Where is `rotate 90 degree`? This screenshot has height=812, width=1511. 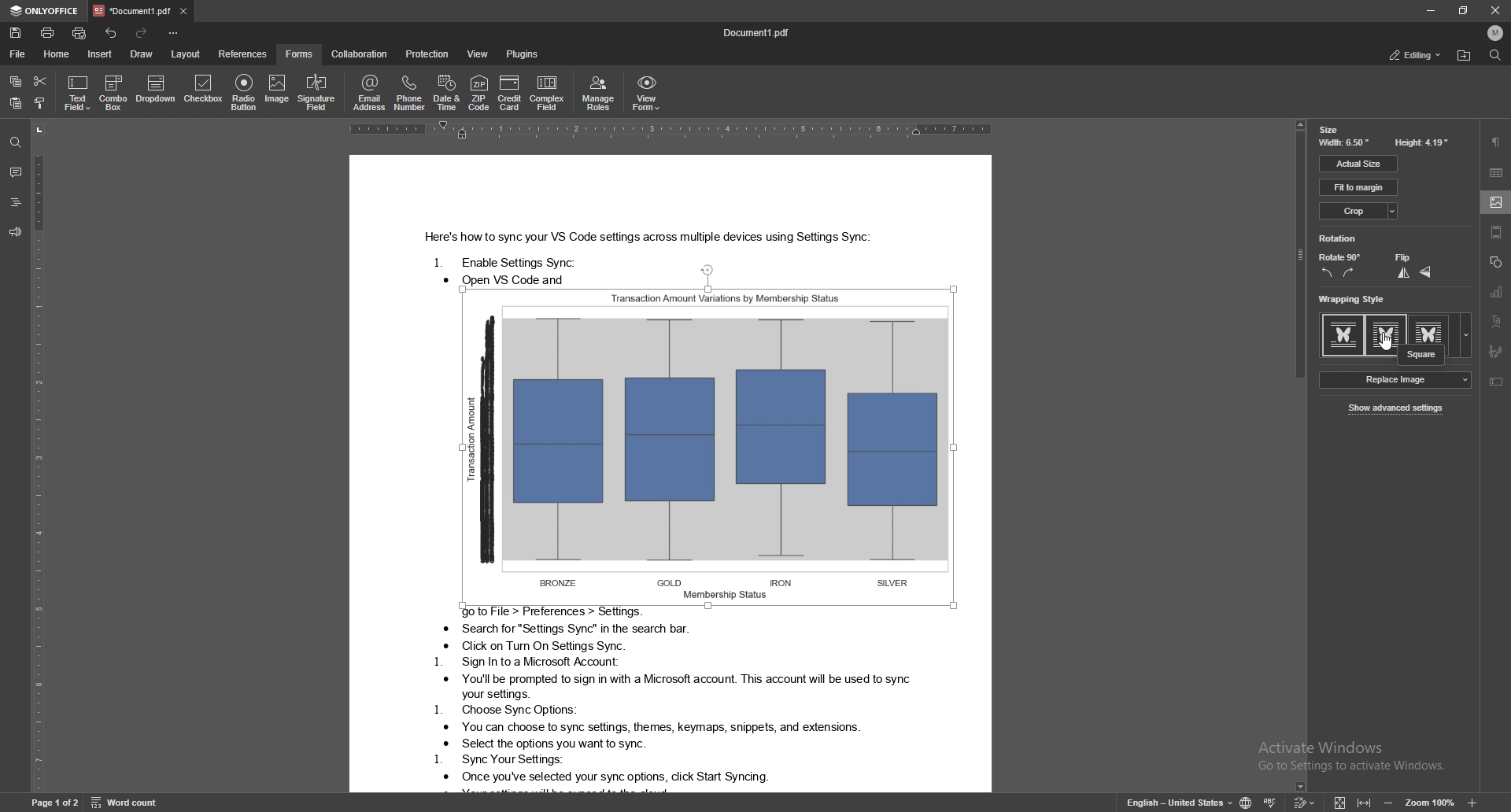 rotate 90 degree is located at coordinates (1341, 258).